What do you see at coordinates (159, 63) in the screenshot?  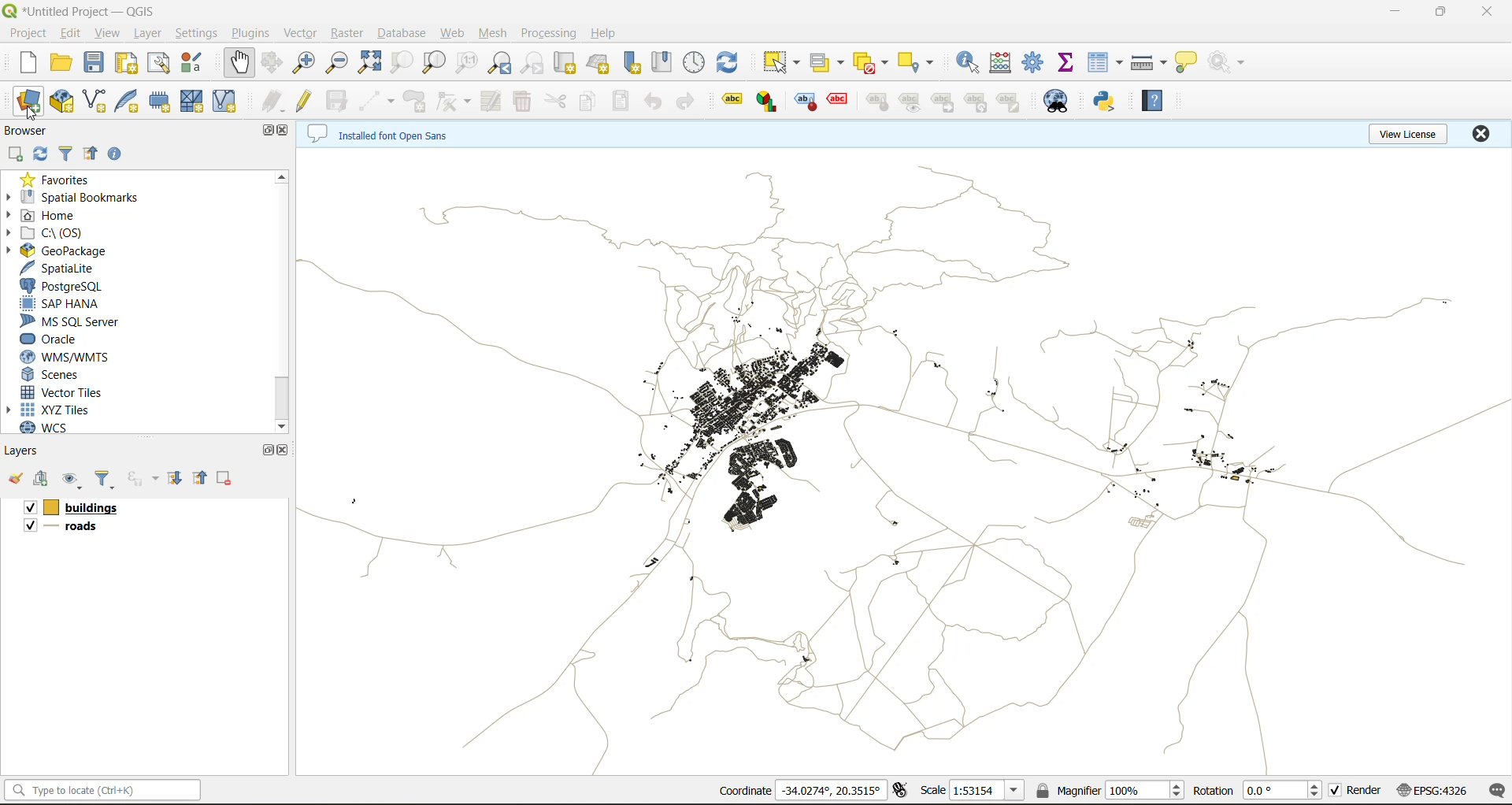 I see `show layout` at bounding box center [159, 63].